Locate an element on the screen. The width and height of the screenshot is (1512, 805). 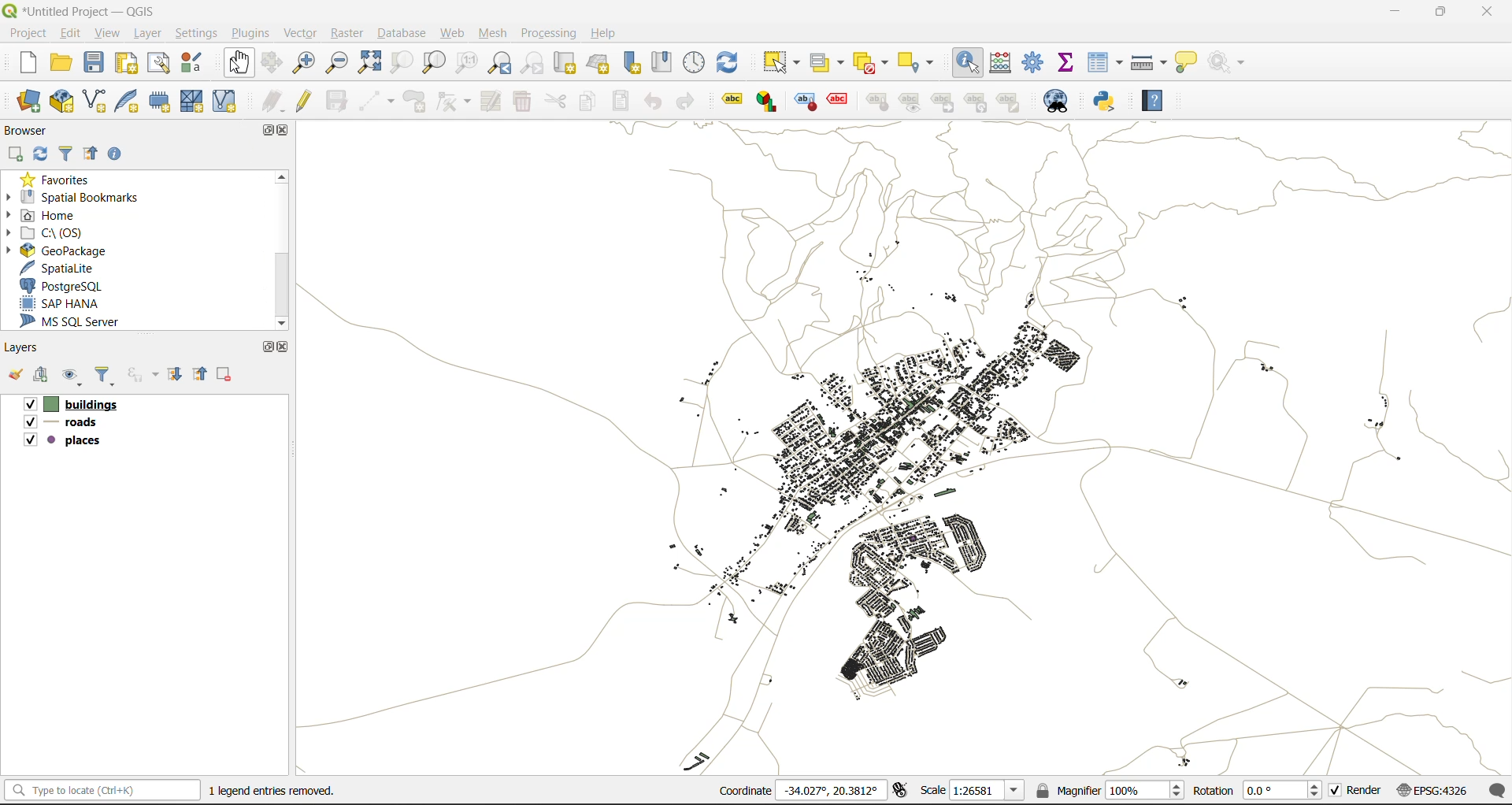
temporary scratch layer is located at coordinates (160, 101).